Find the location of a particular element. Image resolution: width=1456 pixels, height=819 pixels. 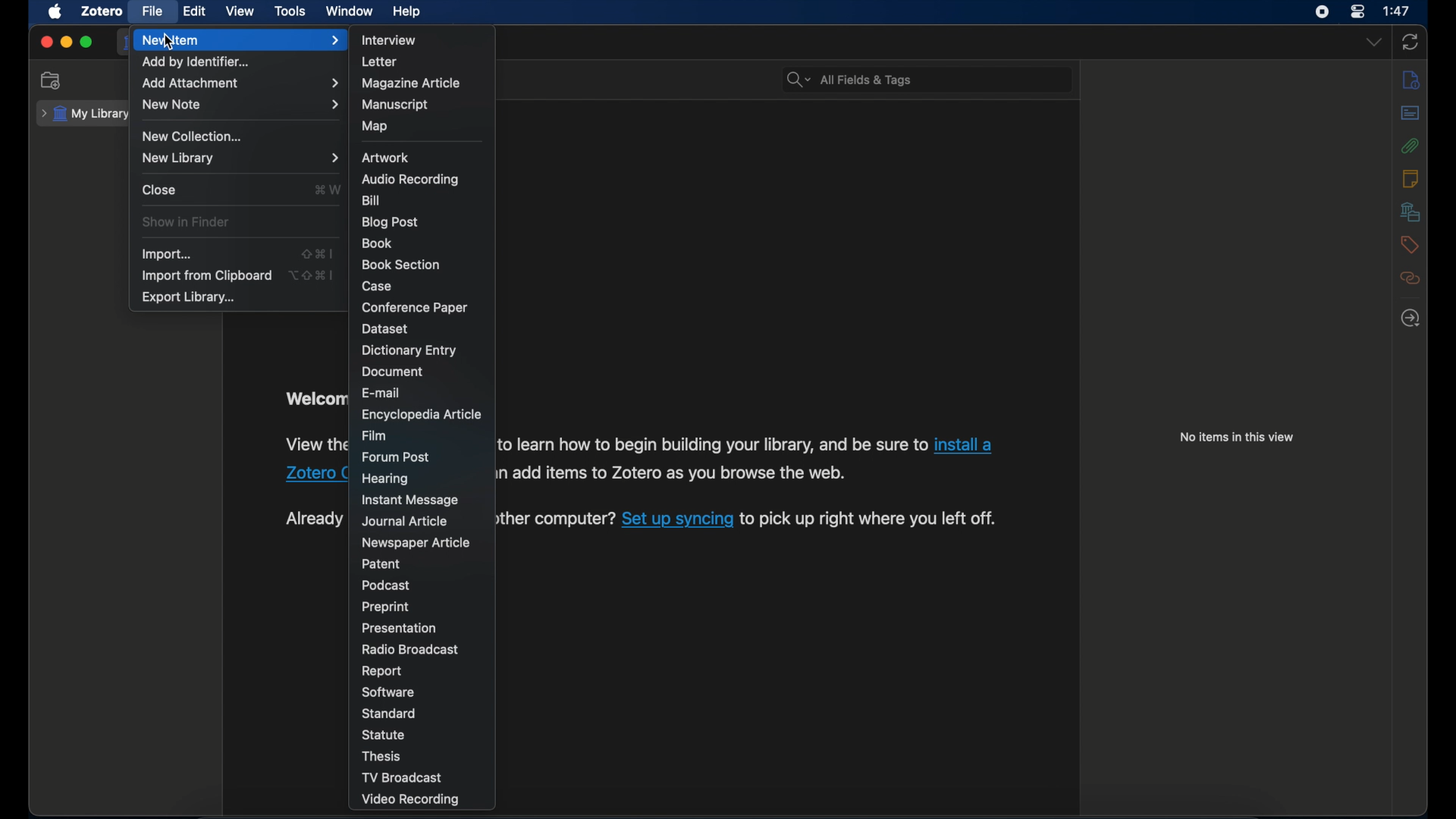

case is located at coordinates (377, 286).